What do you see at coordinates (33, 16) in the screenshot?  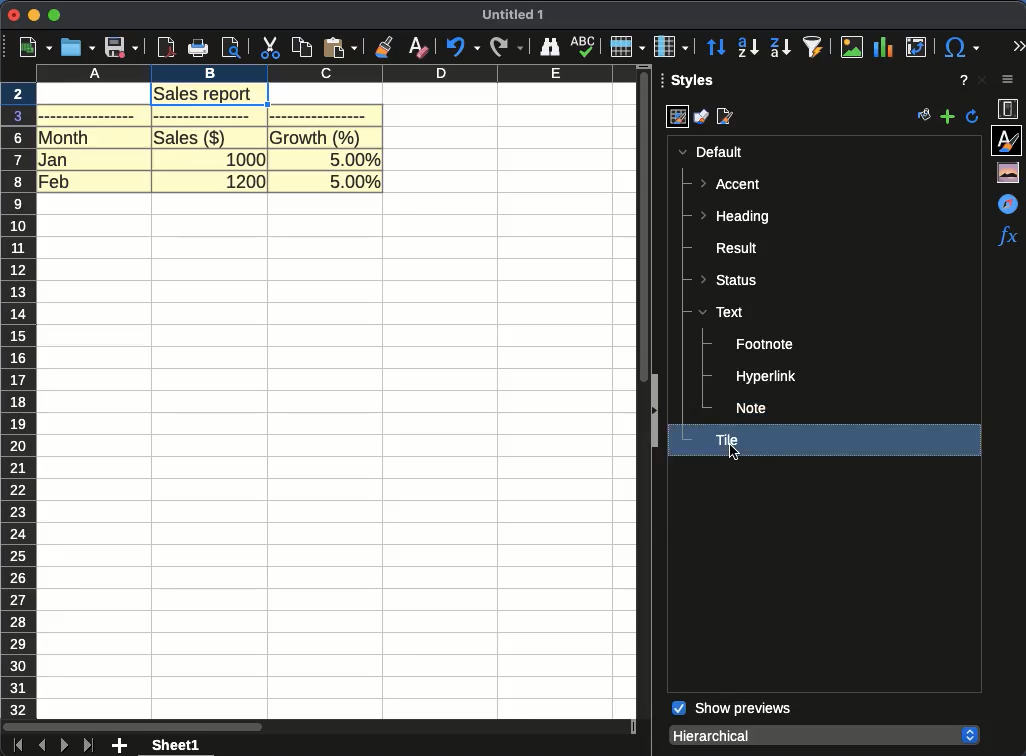 I see `minimize` at bounding box center [33, 16].